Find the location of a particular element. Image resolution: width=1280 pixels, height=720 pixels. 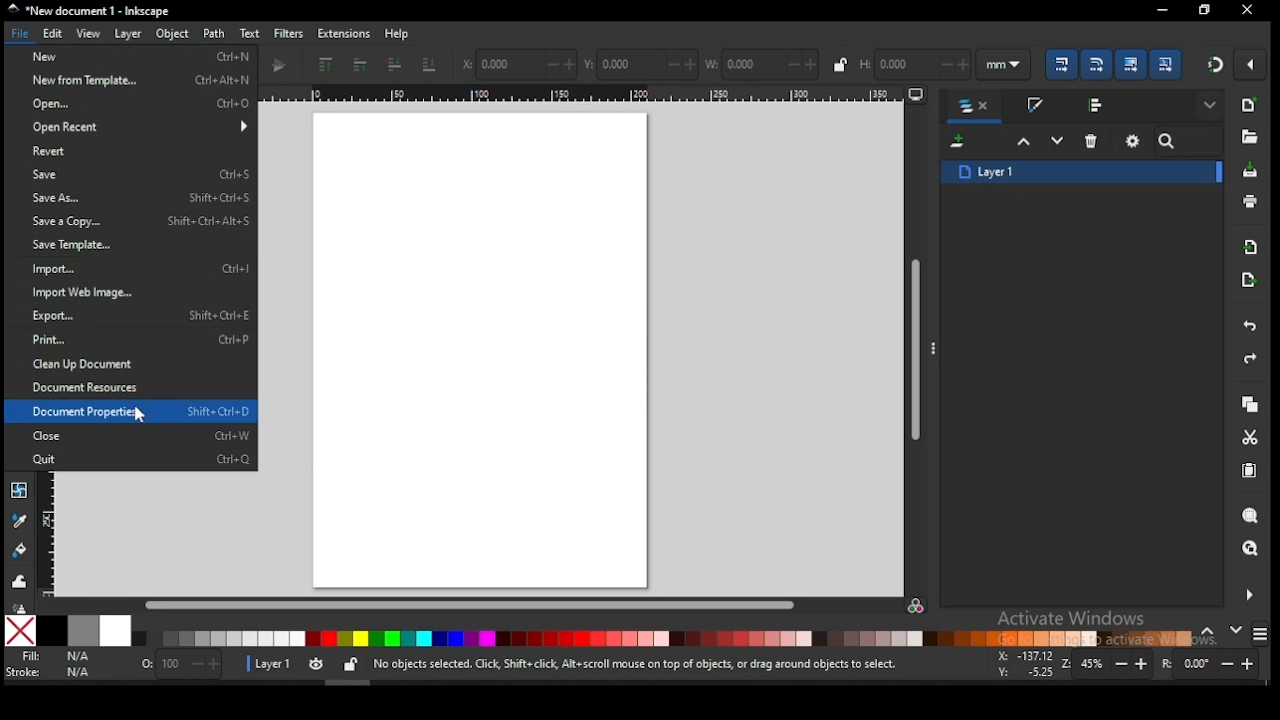

tweak tool is located at coordinates (20, 581).